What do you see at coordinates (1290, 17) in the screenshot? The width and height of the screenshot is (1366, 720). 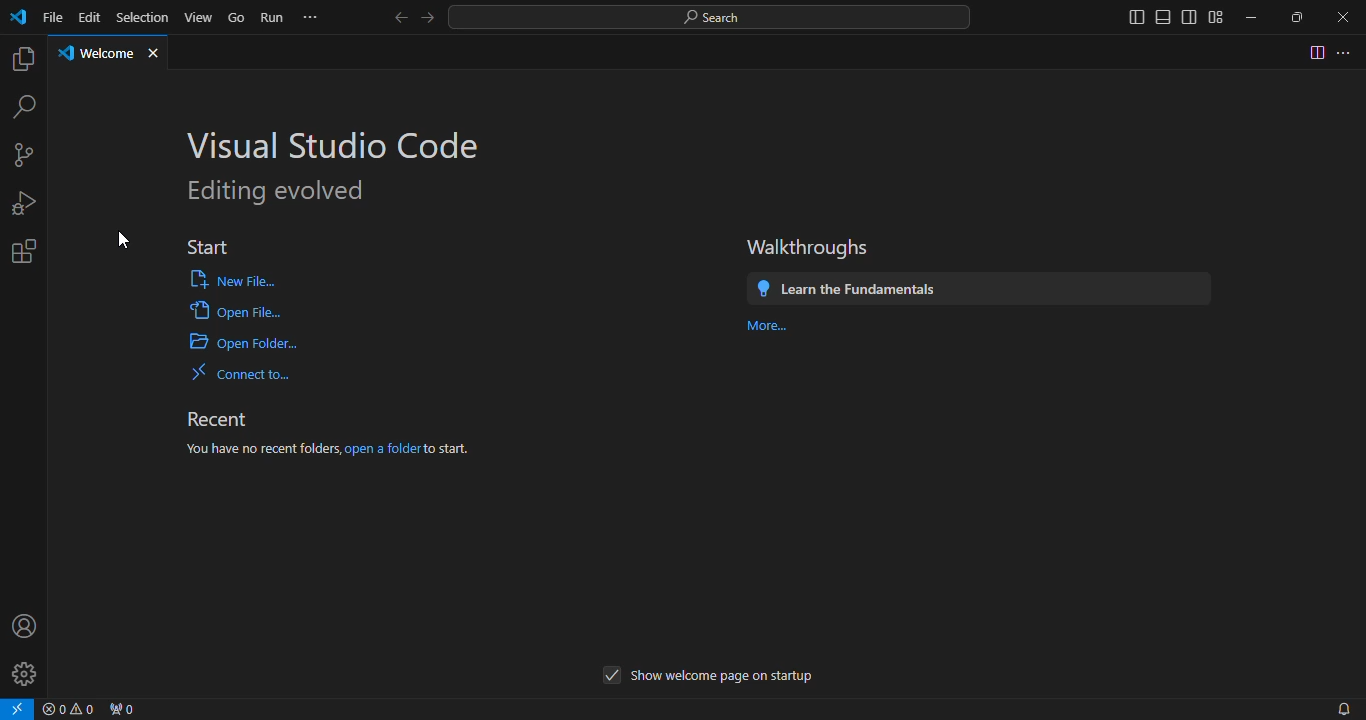 I see `restore down` at bounding box center [1290, 17].